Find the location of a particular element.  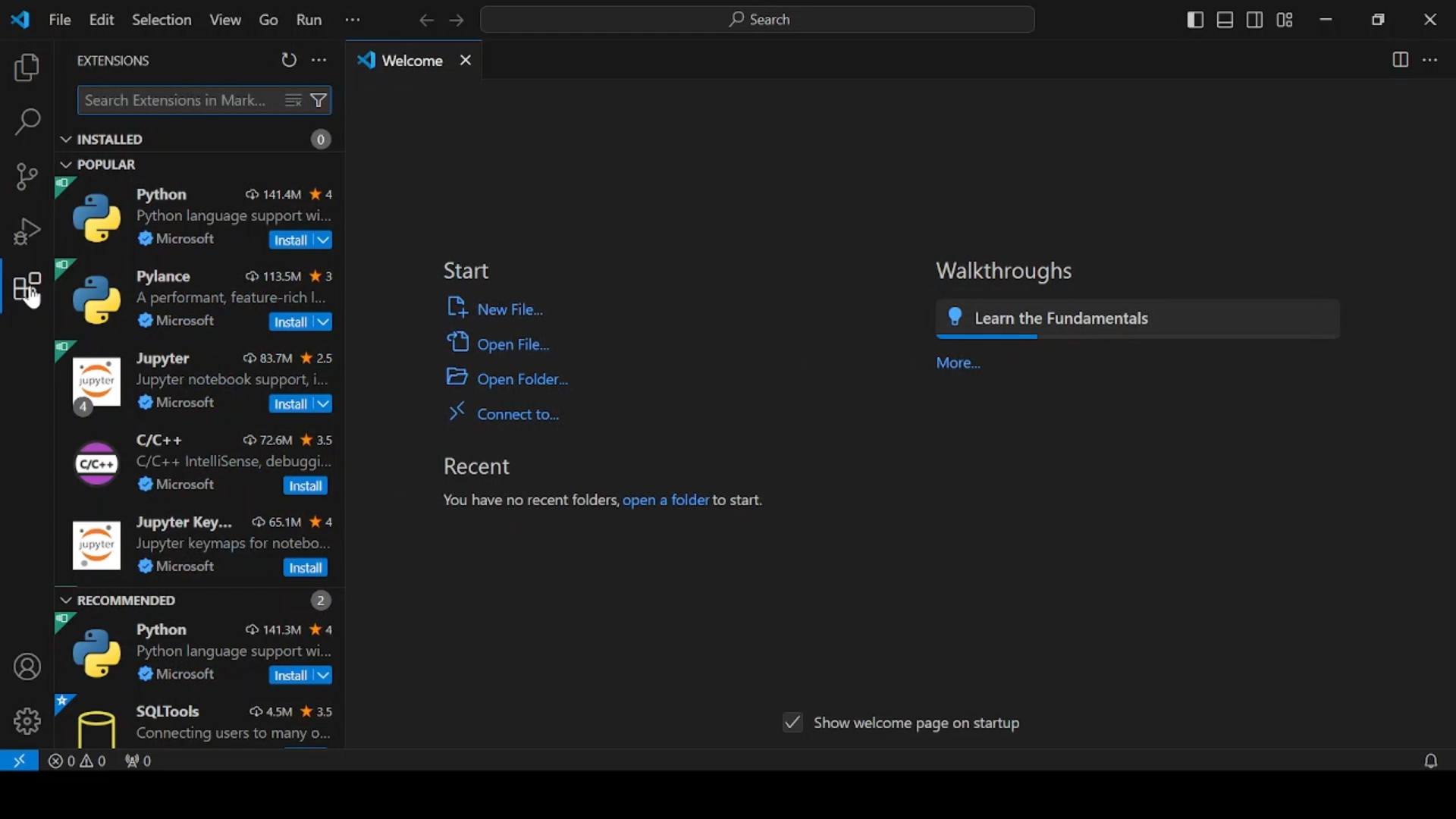

0 is located at coordinates (322, 141).